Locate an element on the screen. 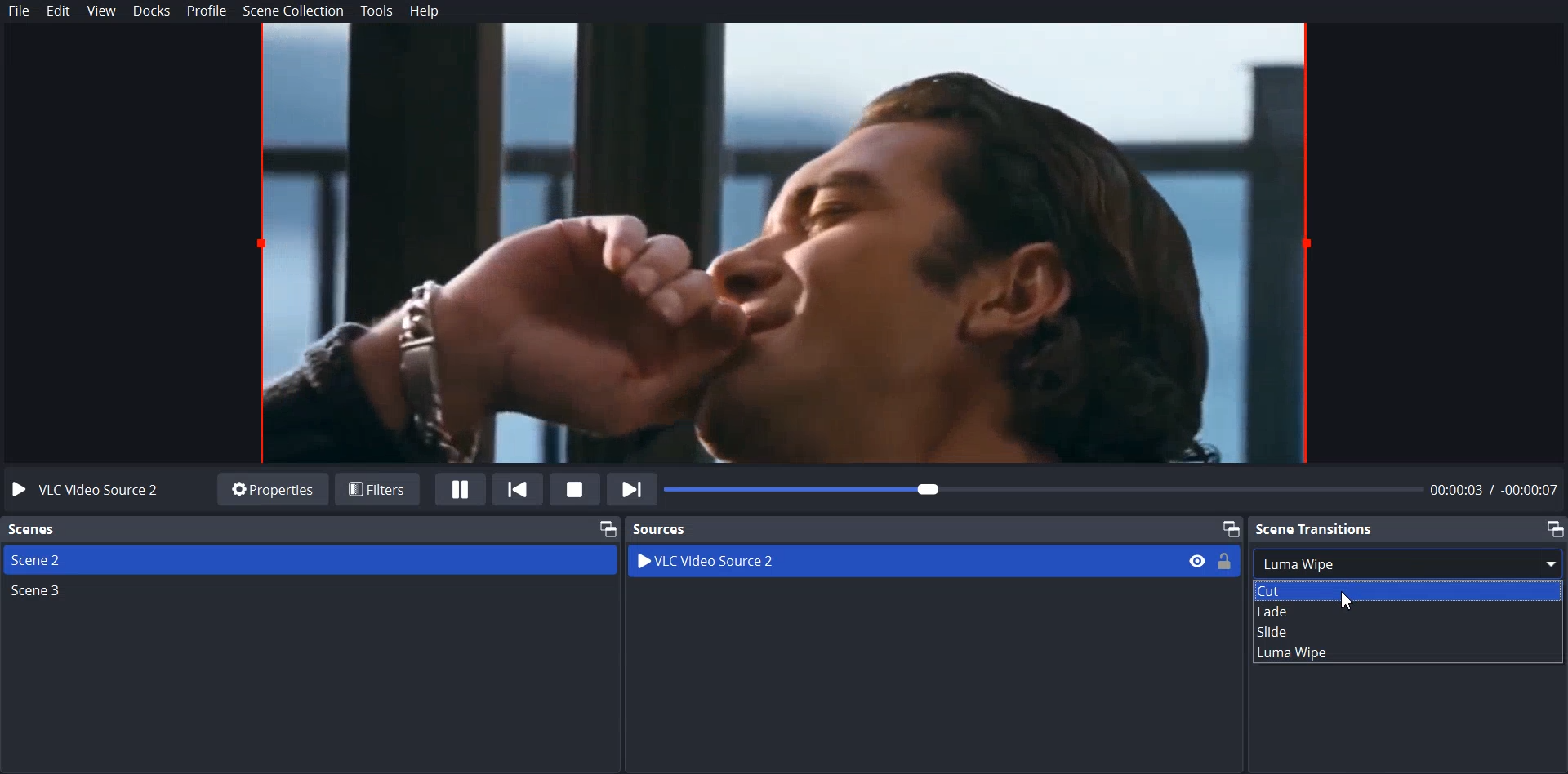 The height and width of the screenshot is (774, 1568). Tools is located at coordinates (377, 11).